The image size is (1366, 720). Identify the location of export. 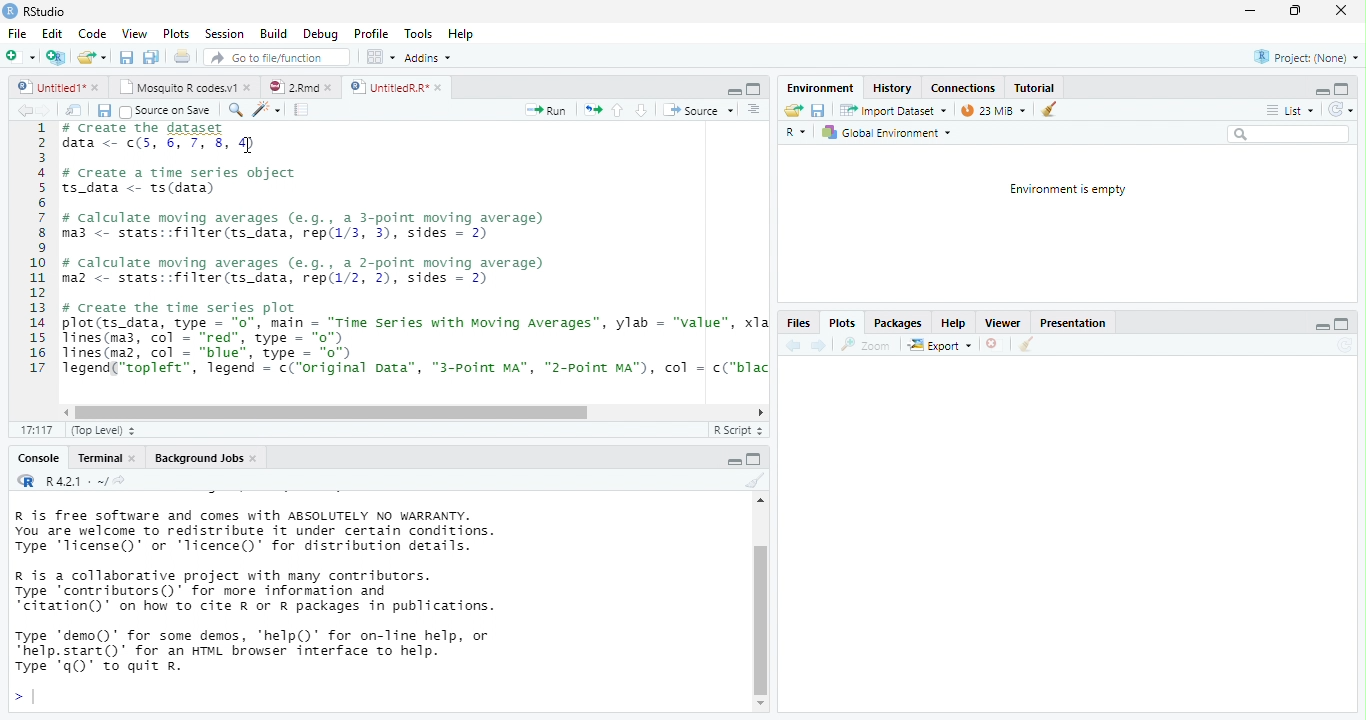
(939, 346).